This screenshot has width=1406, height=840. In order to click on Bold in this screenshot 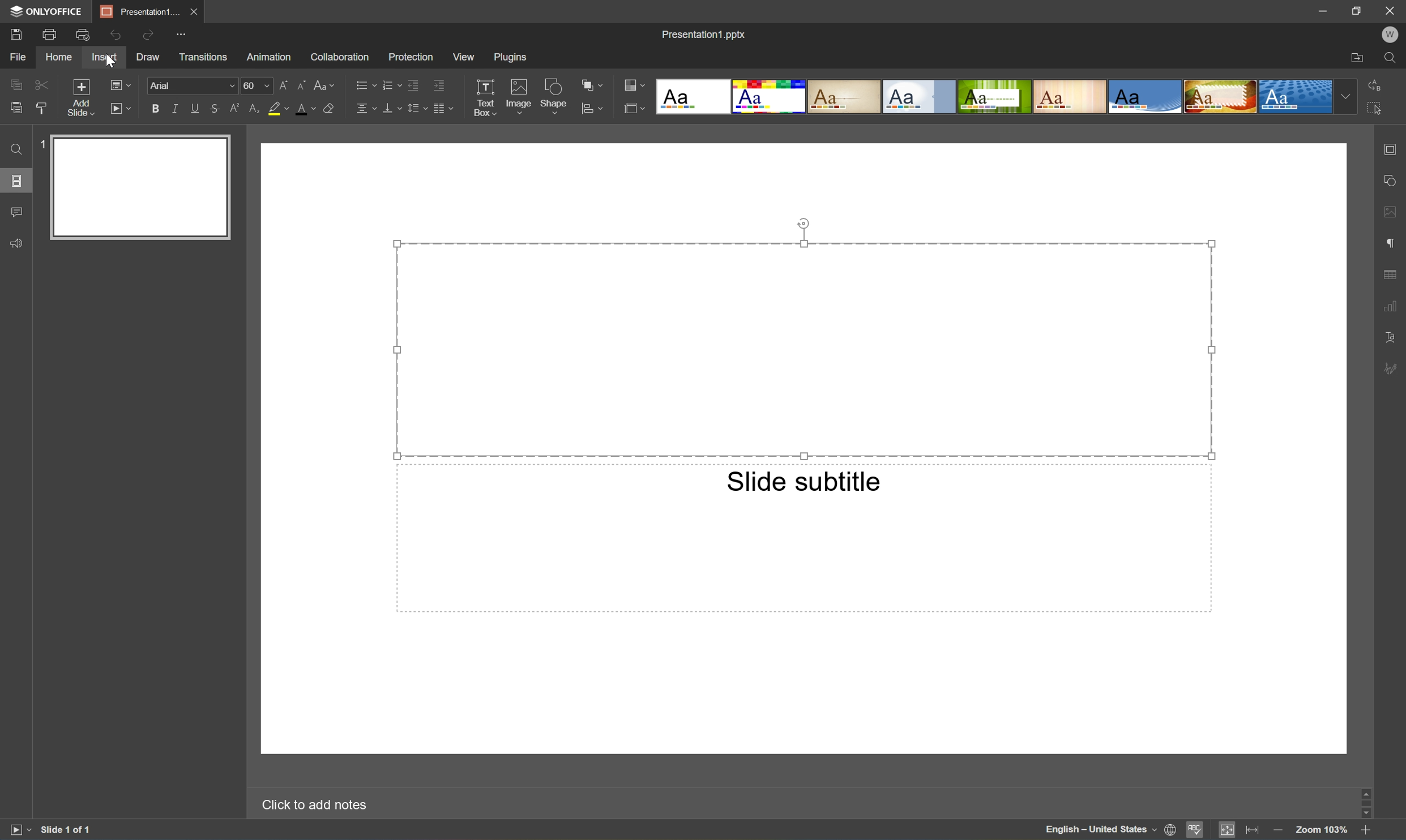, I will do `click(152, 108)`.